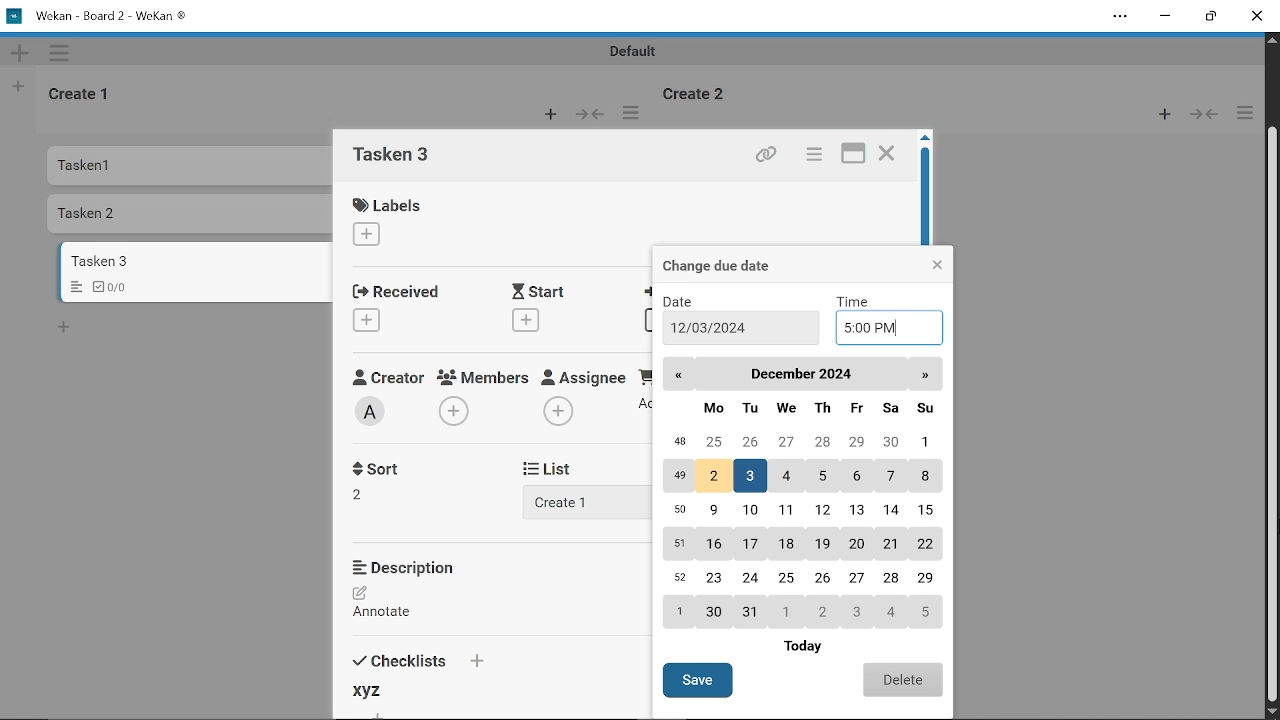  I want to click on New, so click(19, 52).